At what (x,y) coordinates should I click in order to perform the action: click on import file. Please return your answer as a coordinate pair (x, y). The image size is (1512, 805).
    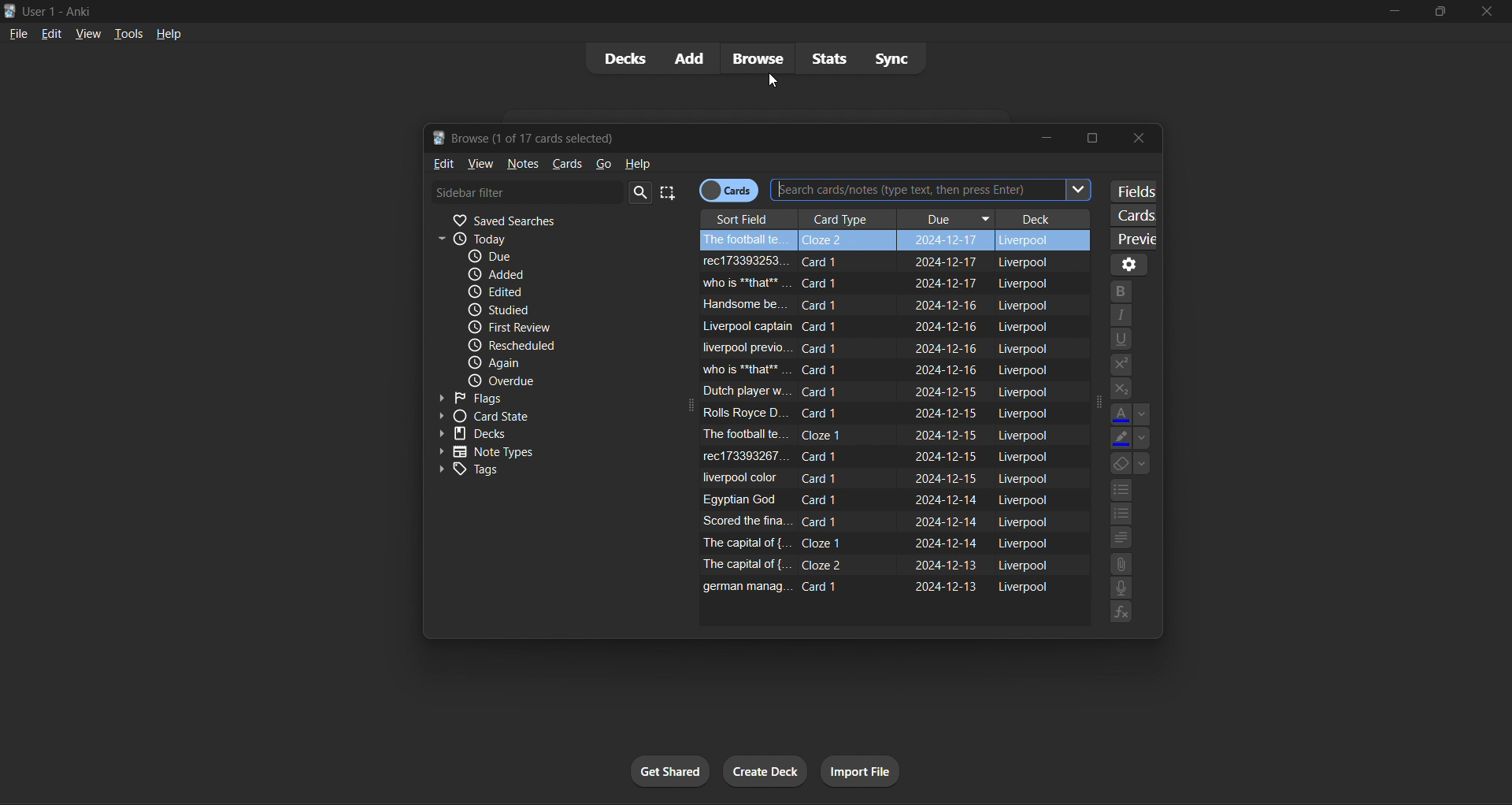
    Looking at the image, I should click on (860, 773).